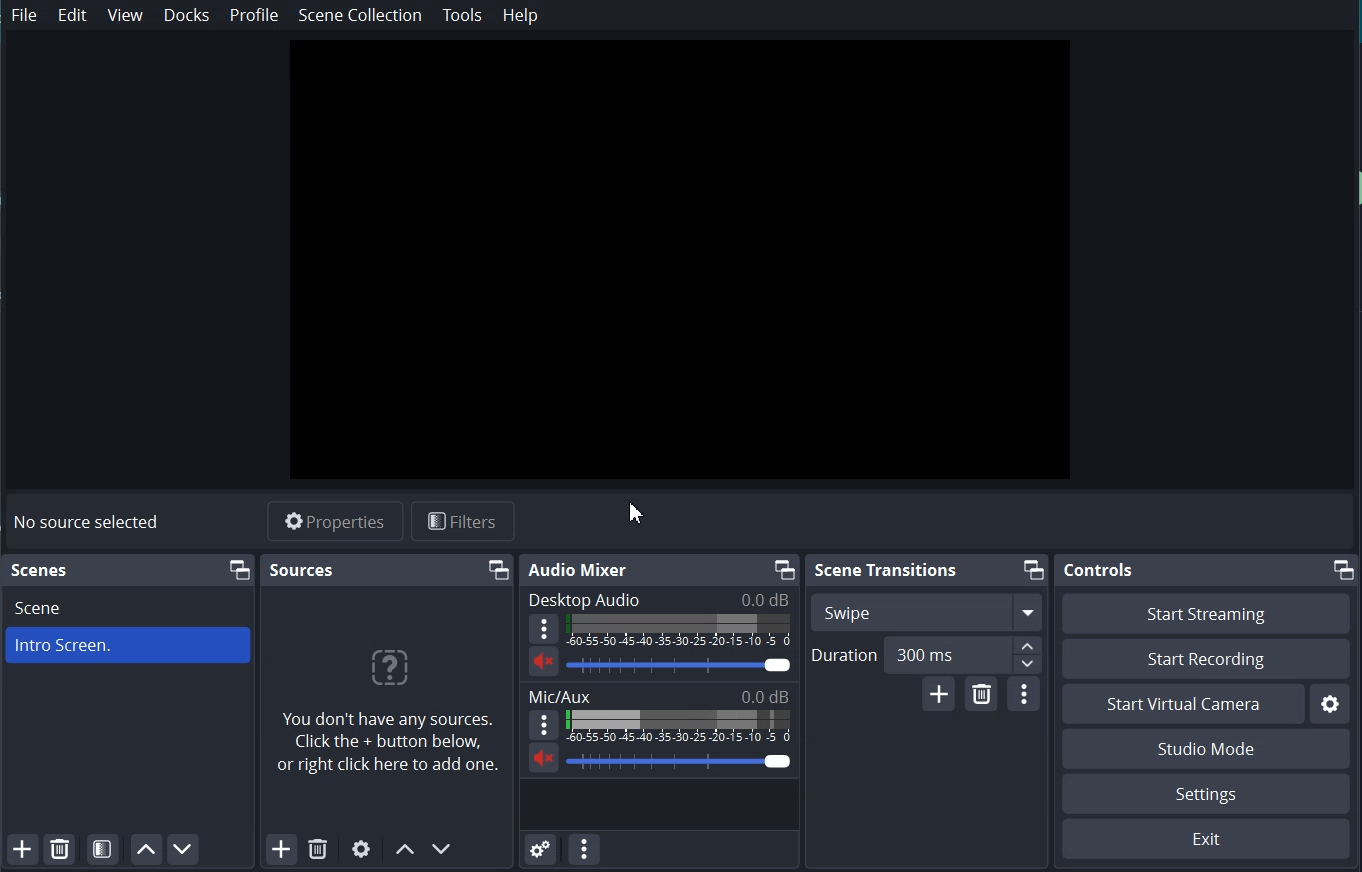 This screenshot has width=1362, height=872. I want to click on Settings, so click(1330, 703).